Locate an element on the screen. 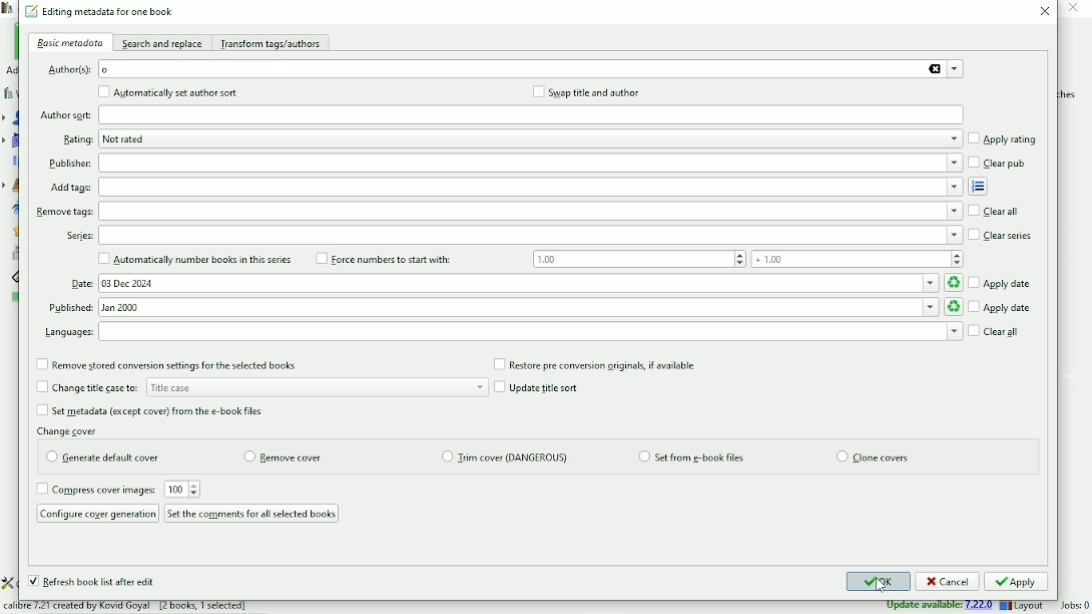 The image size is (1092, 614). Add tags input is located at coordinates (528, 187).